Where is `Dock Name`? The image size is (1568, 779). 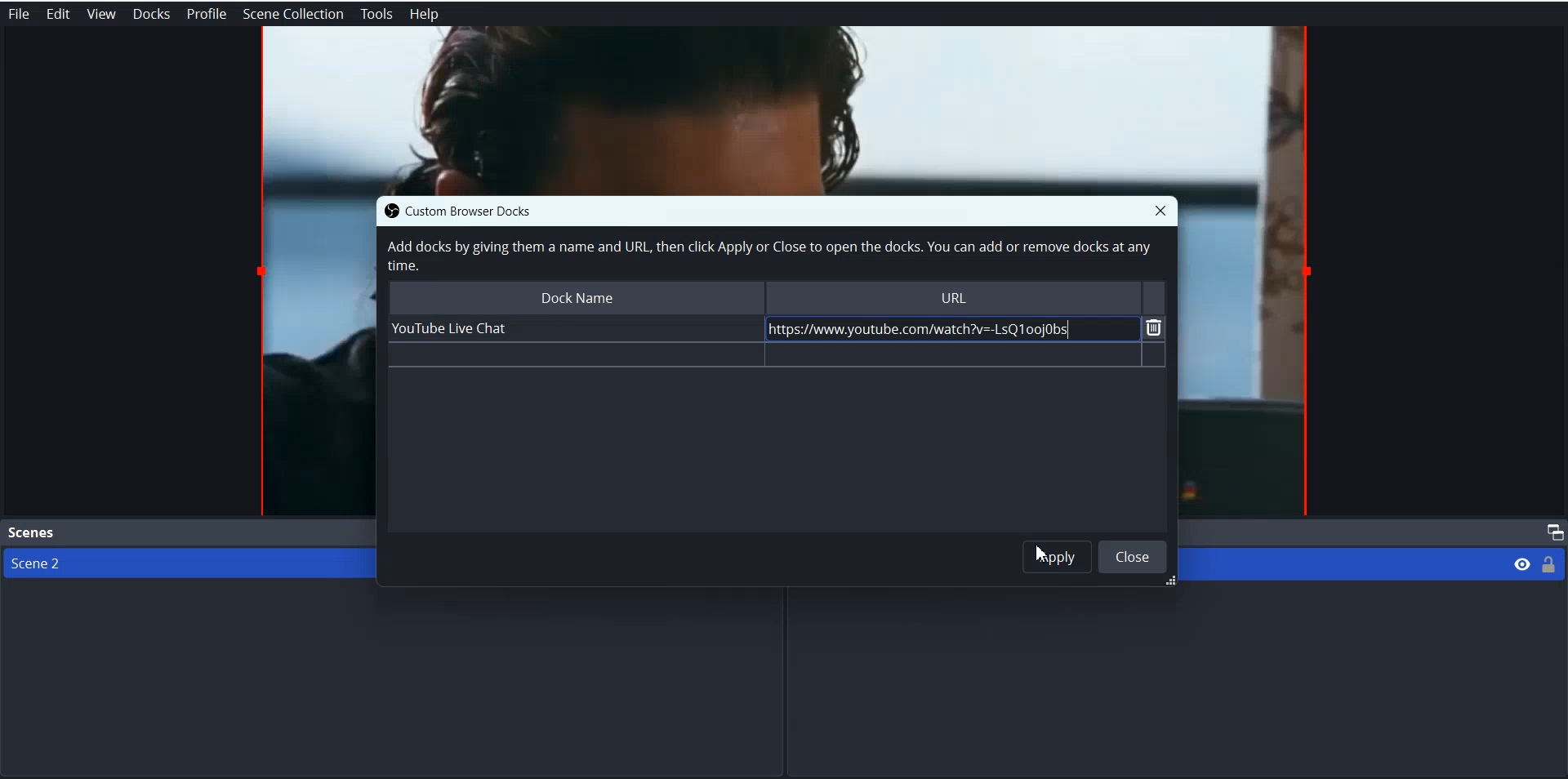 Dock Name is located at coordinates (574, 296).